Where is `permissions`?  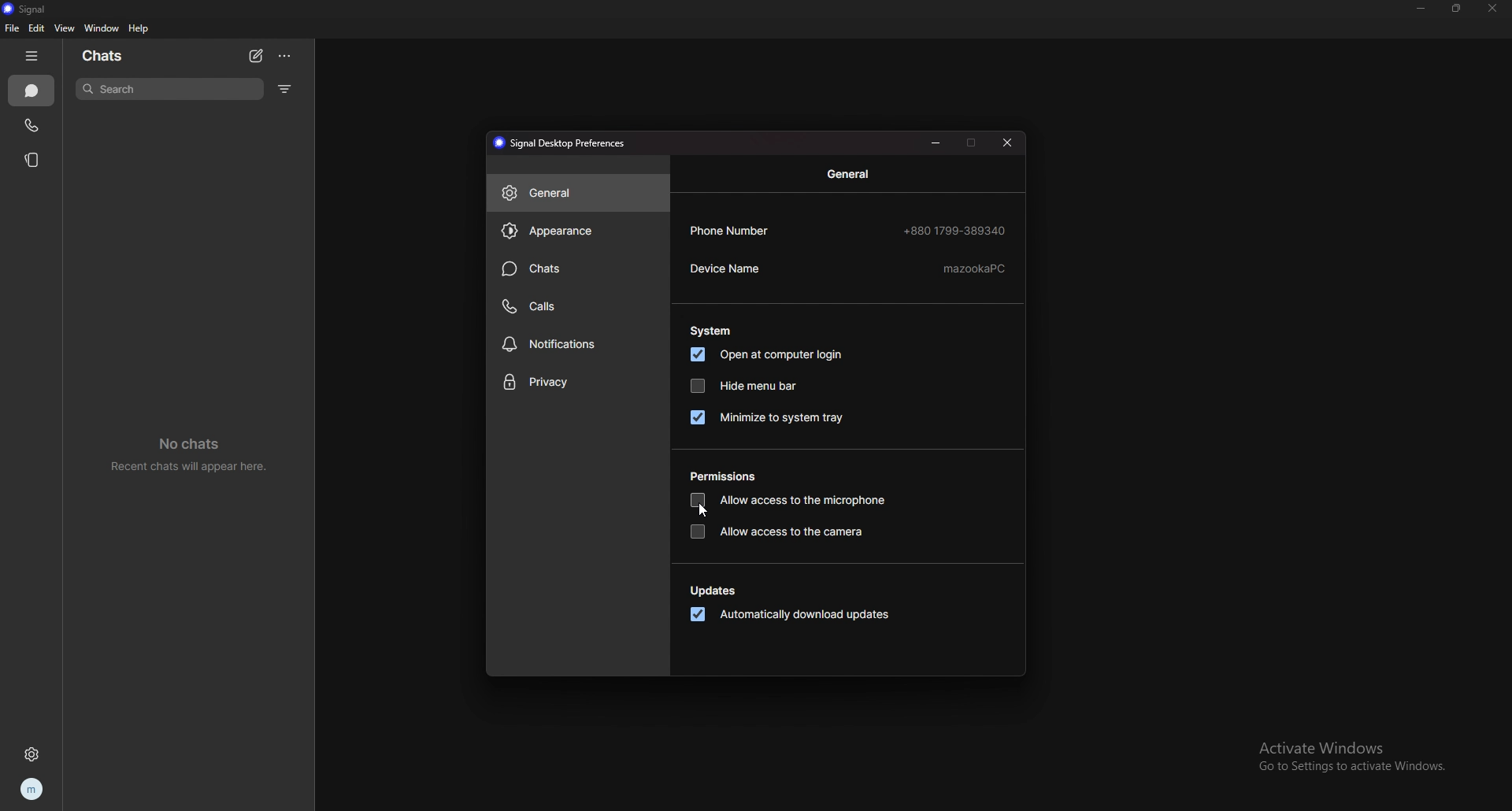
permissions is located at coordinates (724, 476).